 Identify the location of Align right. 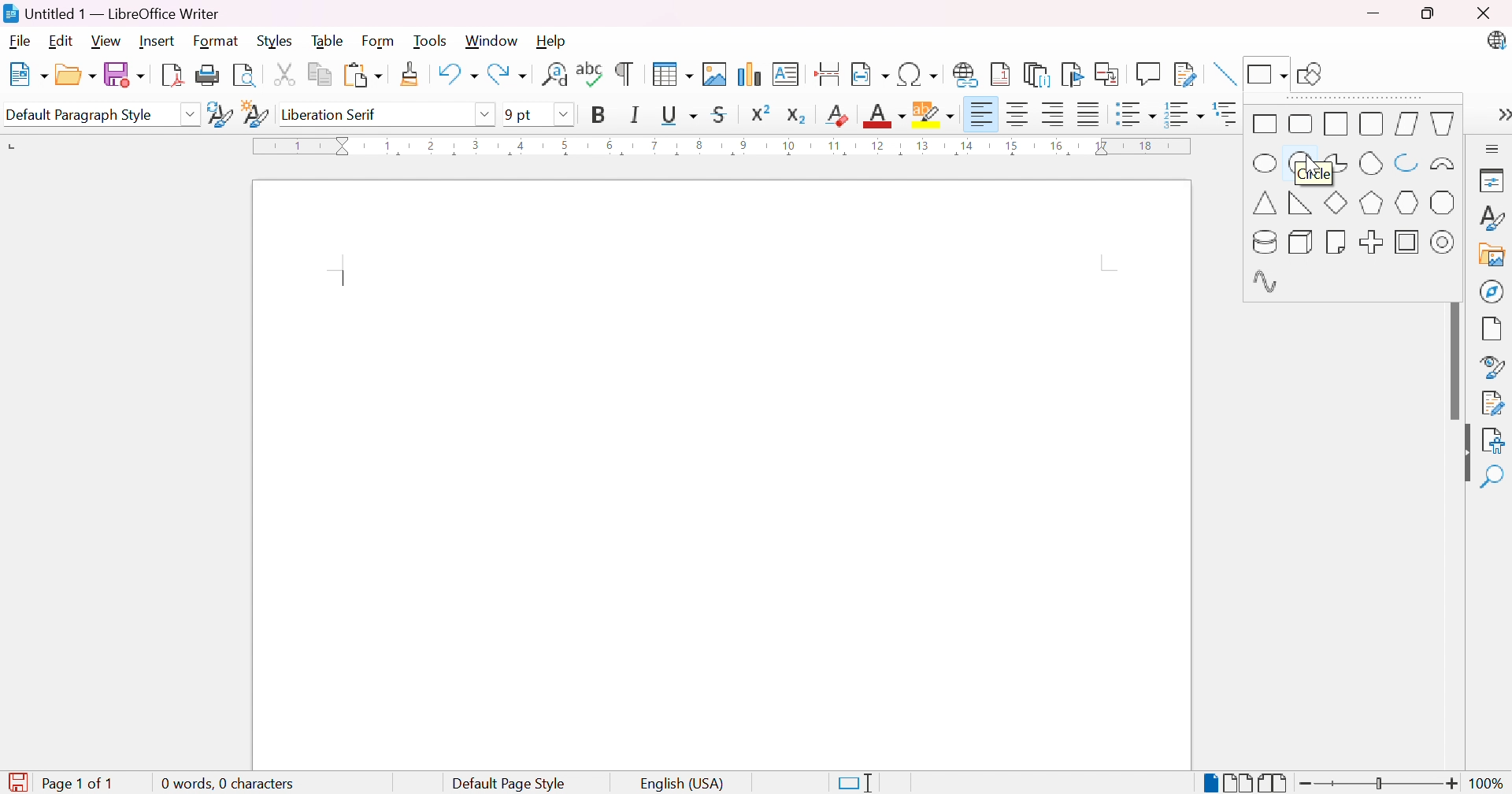
(1056, 115).